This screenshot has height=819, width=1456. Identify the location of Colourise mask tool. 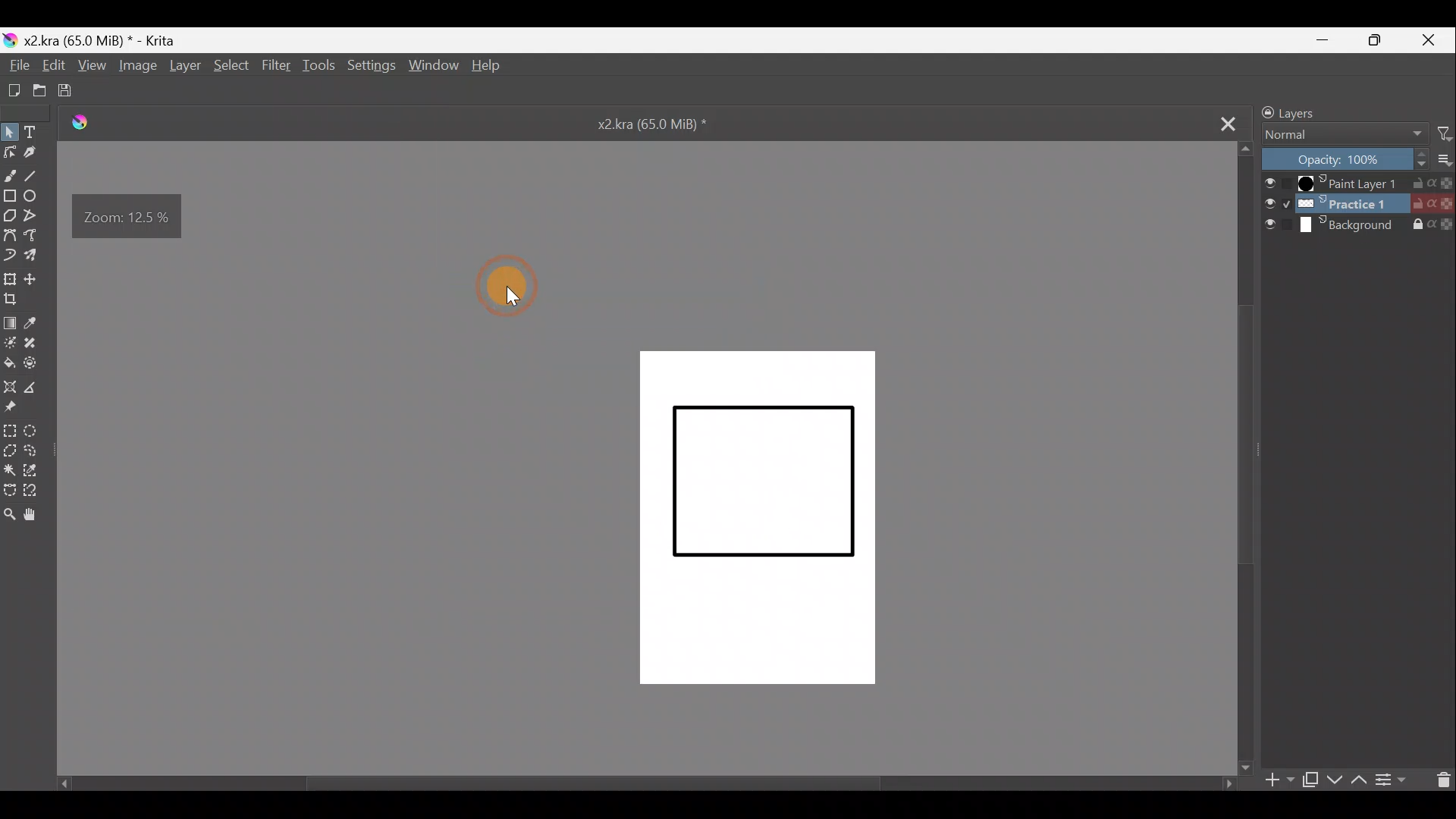
(10, 345).